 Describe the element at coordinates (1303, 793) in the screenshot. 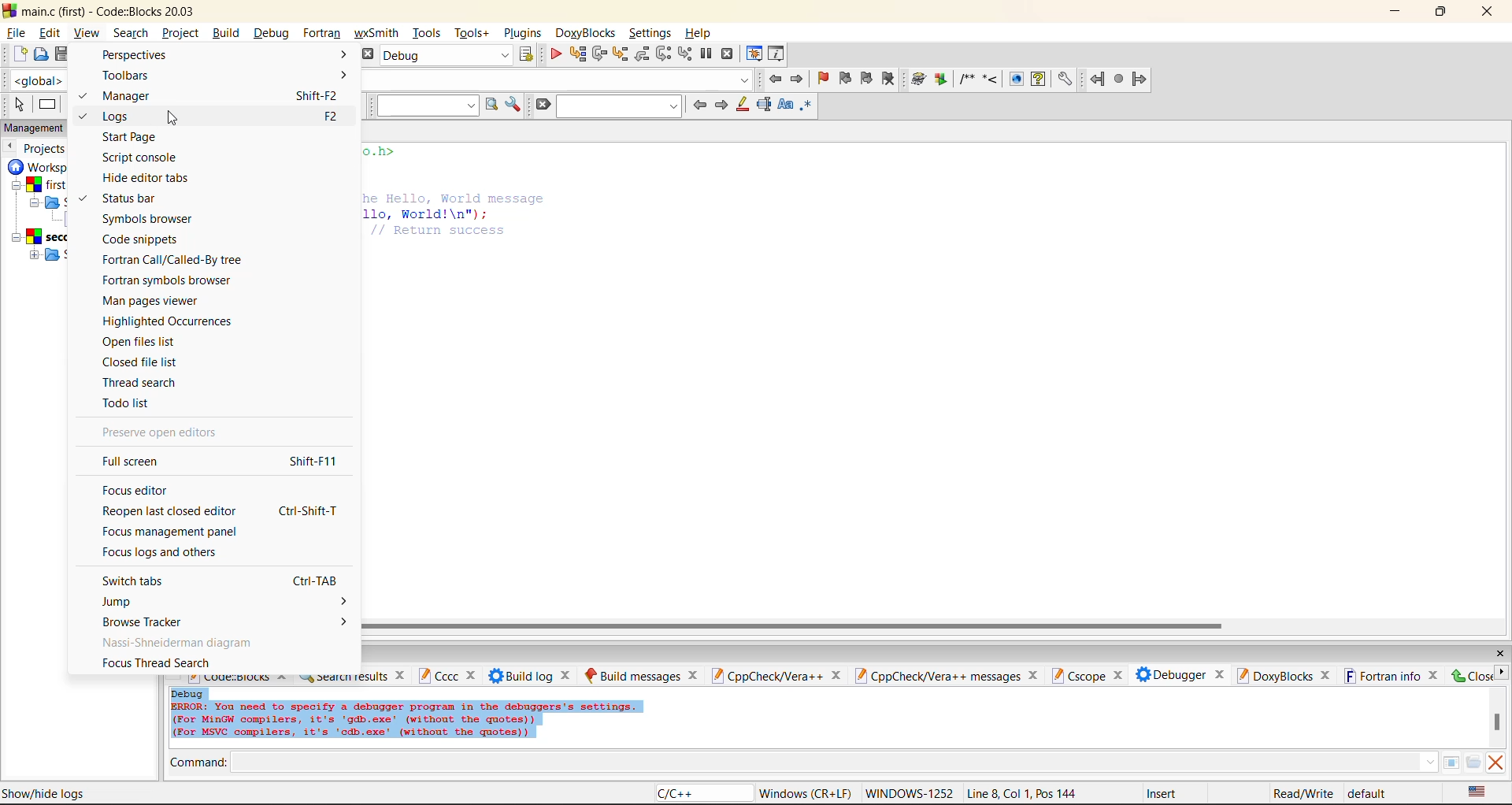

I see `Read/write` at that location.